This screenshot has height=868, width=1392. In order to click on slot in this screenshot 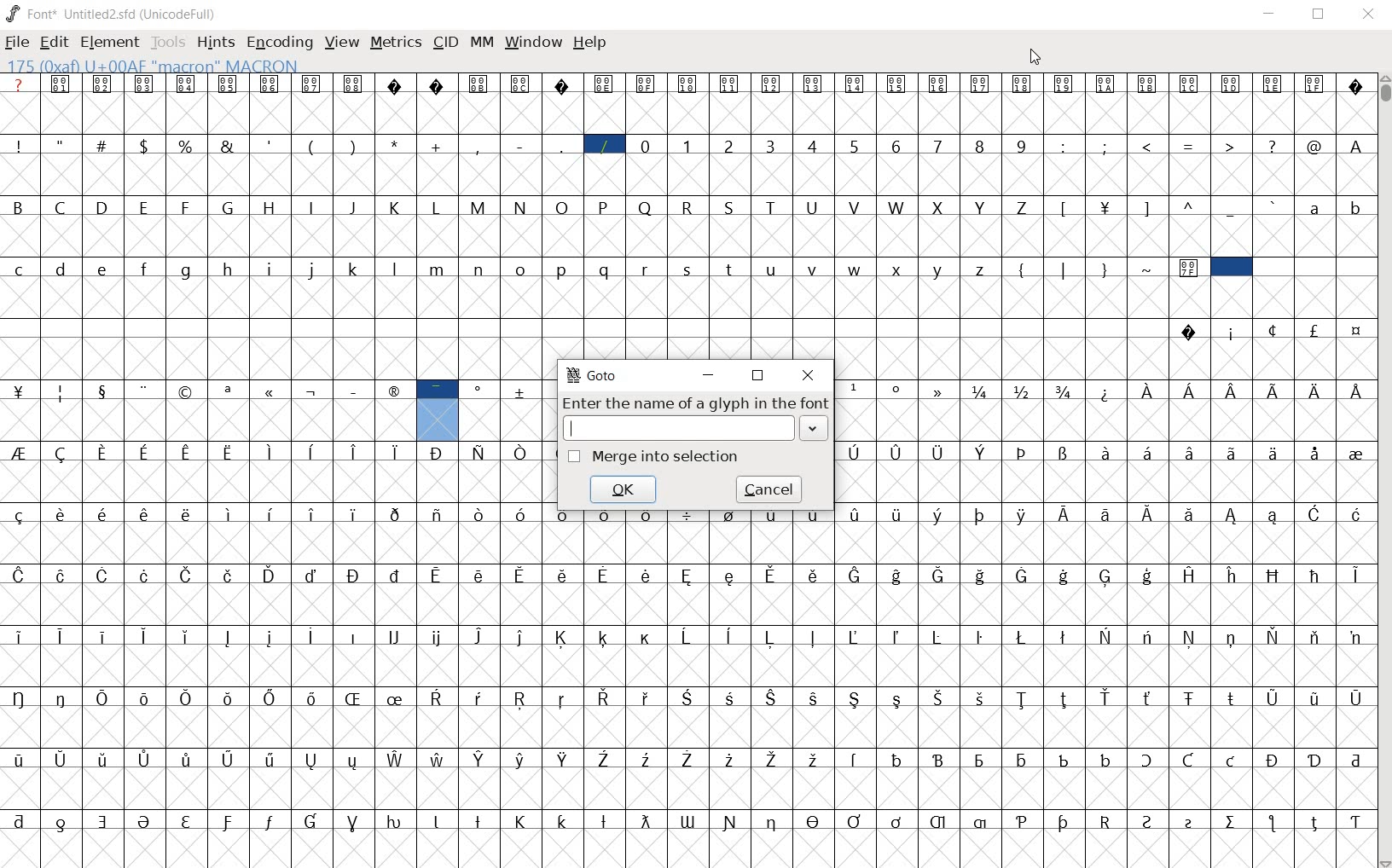, I will do `click(1290, 289)`.